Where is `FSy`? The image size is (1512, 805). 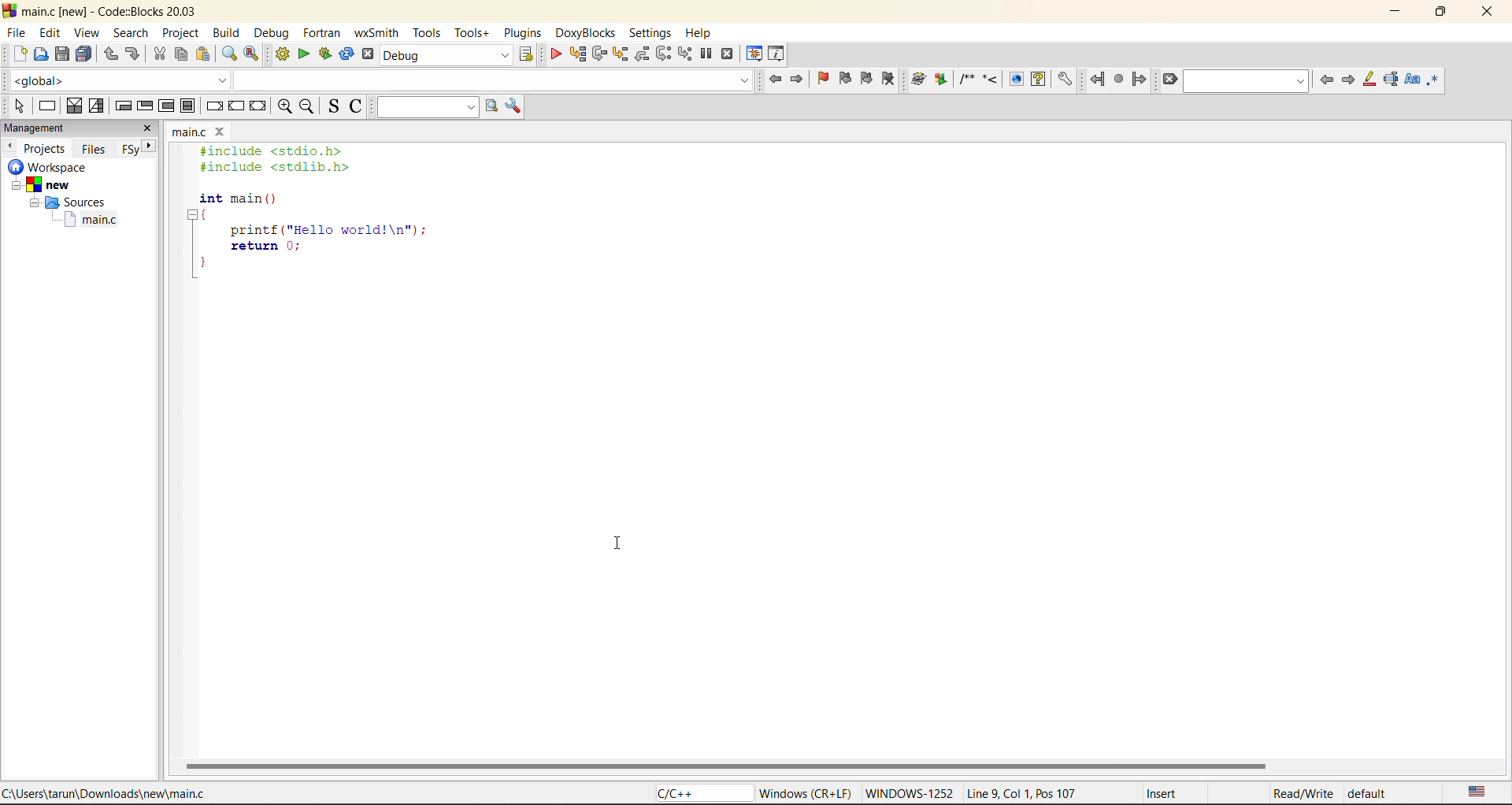
FSy is located at coordinates (130, 150).